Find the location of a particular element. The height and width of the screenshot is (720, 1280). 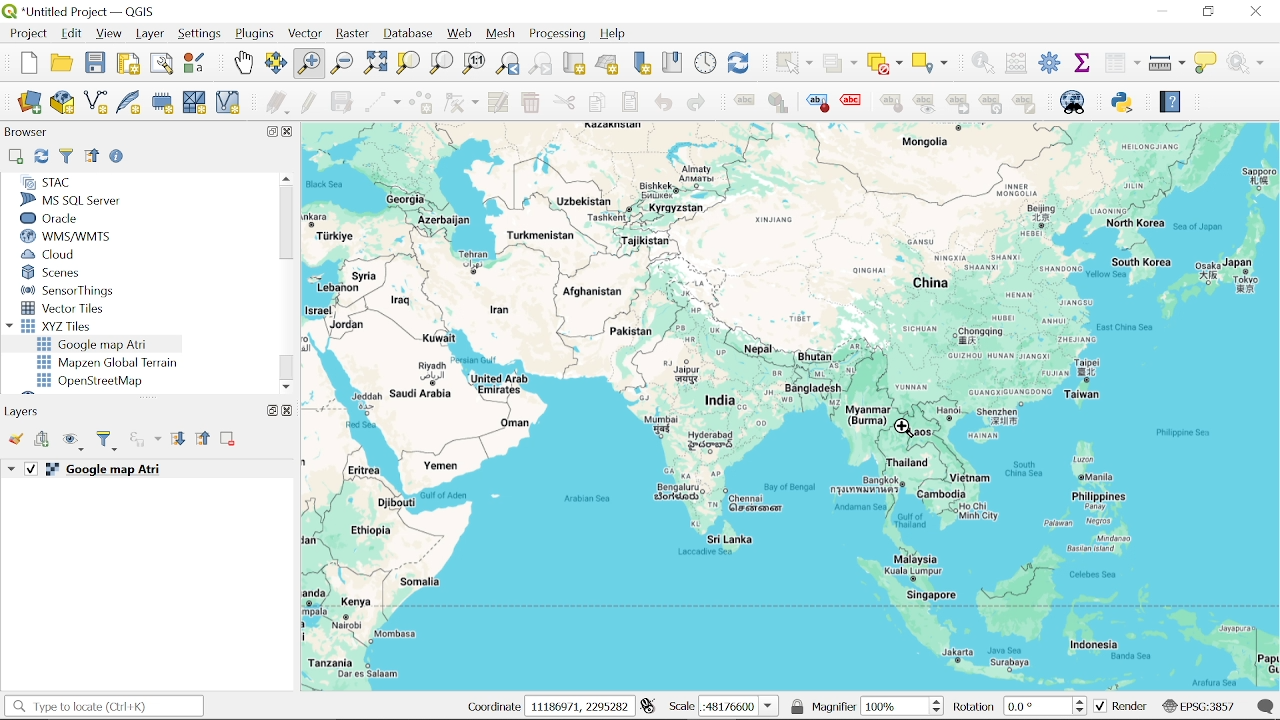

Map zoomed is located at coordinates (791, 407).